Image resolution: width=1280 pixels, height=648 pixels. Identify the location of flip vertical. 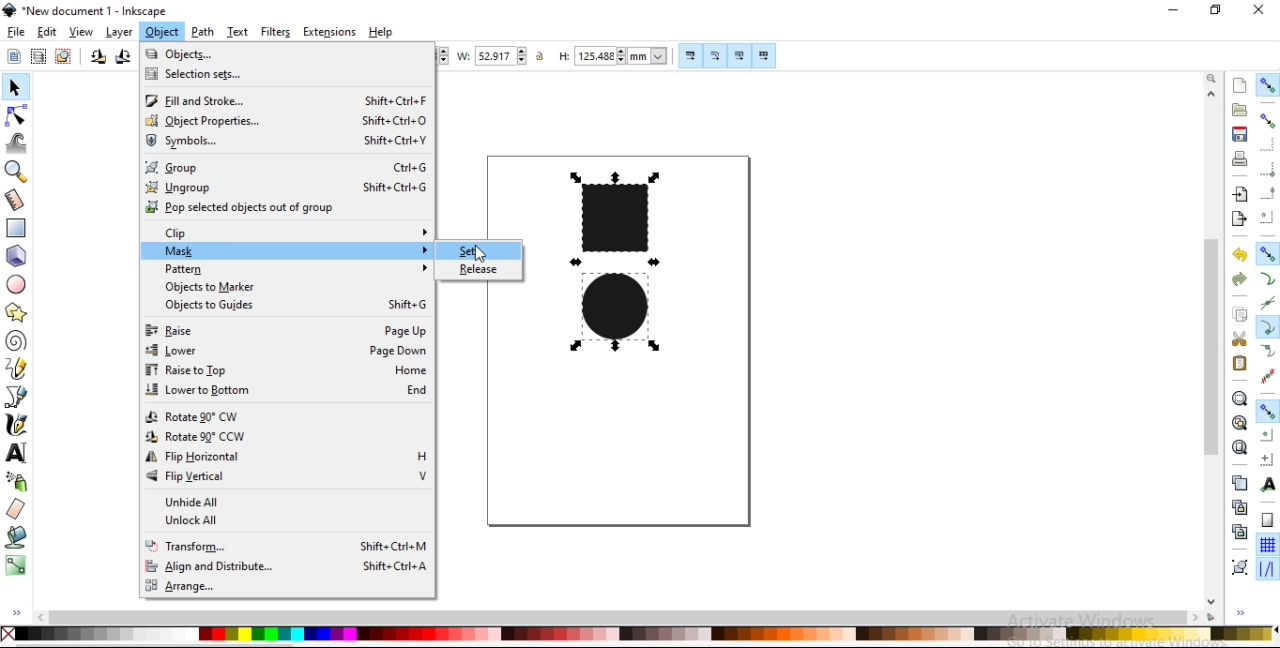
(286, 477).